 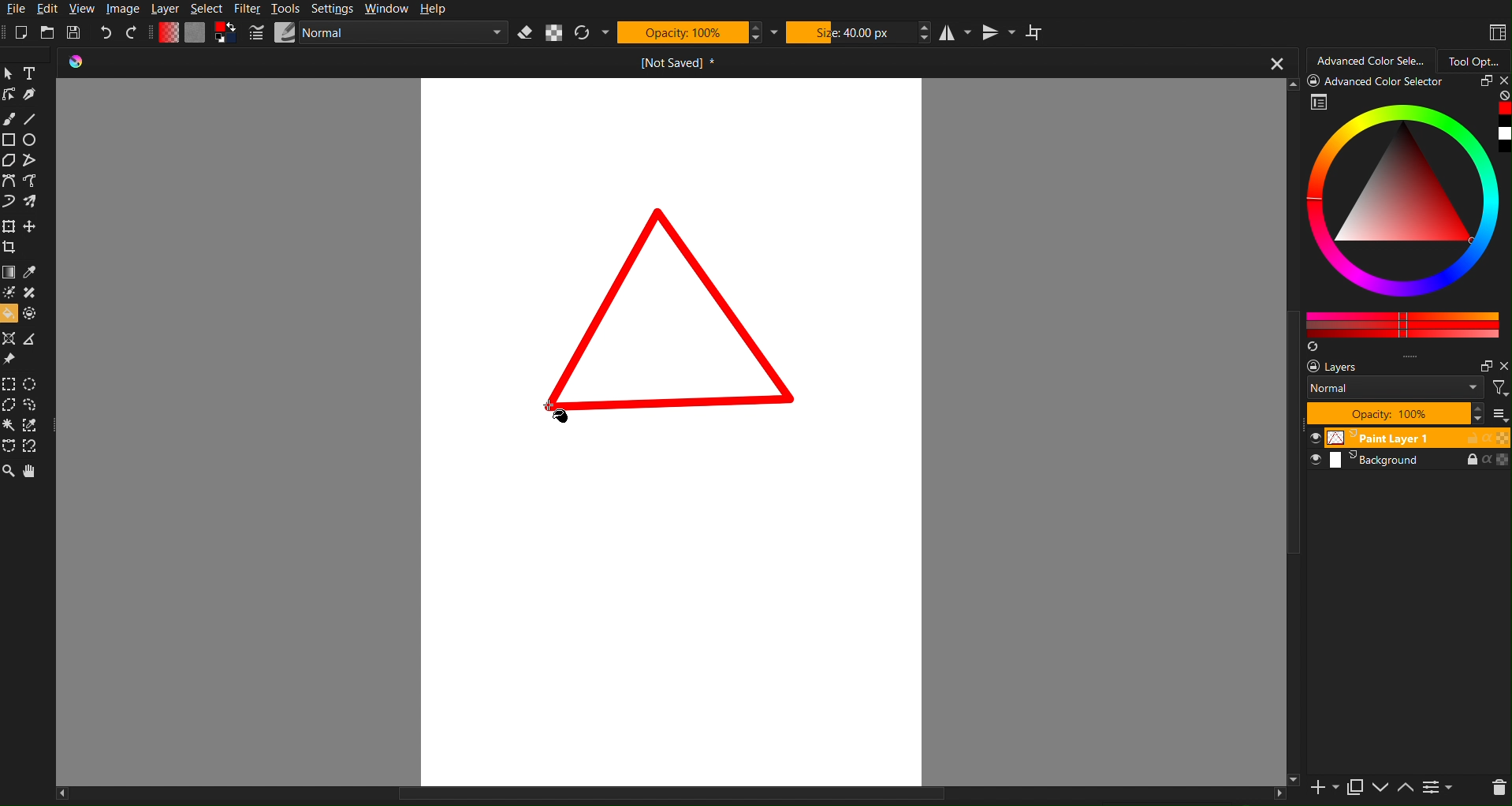 I want to click on magnetic curve Selection Tools, so click(x=36, y=447).